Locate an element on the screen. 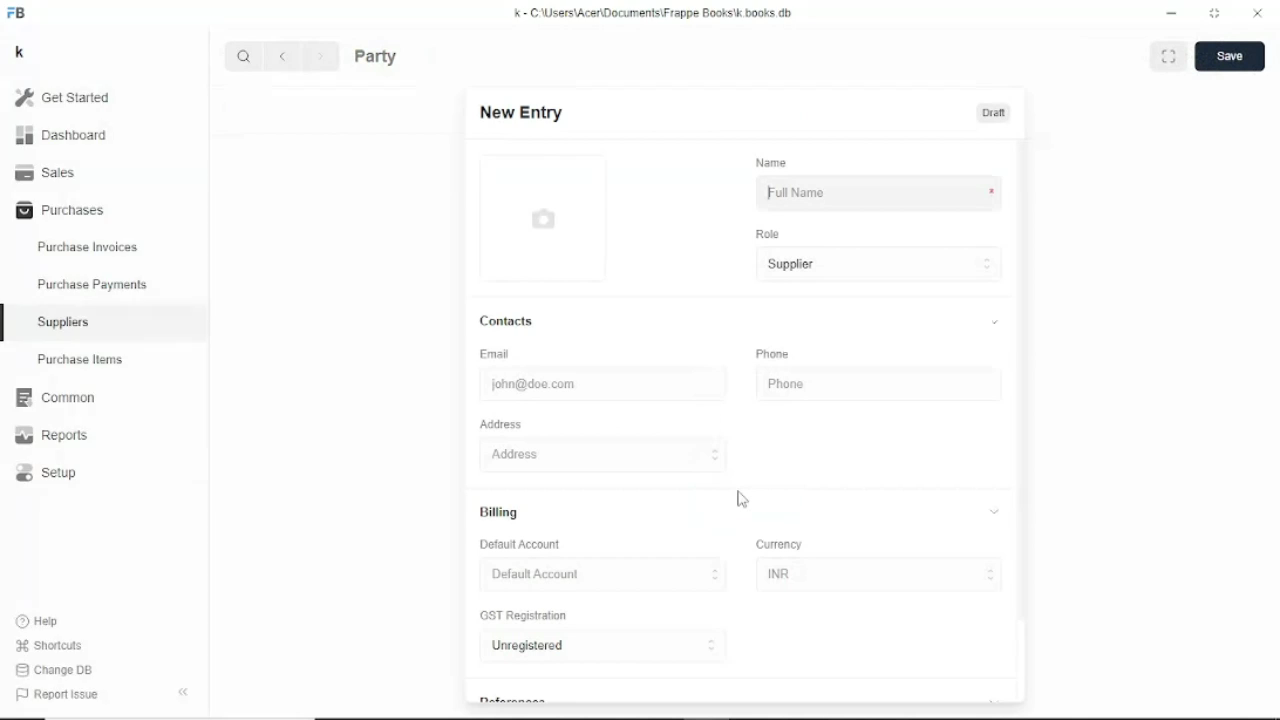 This screenshot has width=1280, height=720. Get started is located at coordinates (63, 97).